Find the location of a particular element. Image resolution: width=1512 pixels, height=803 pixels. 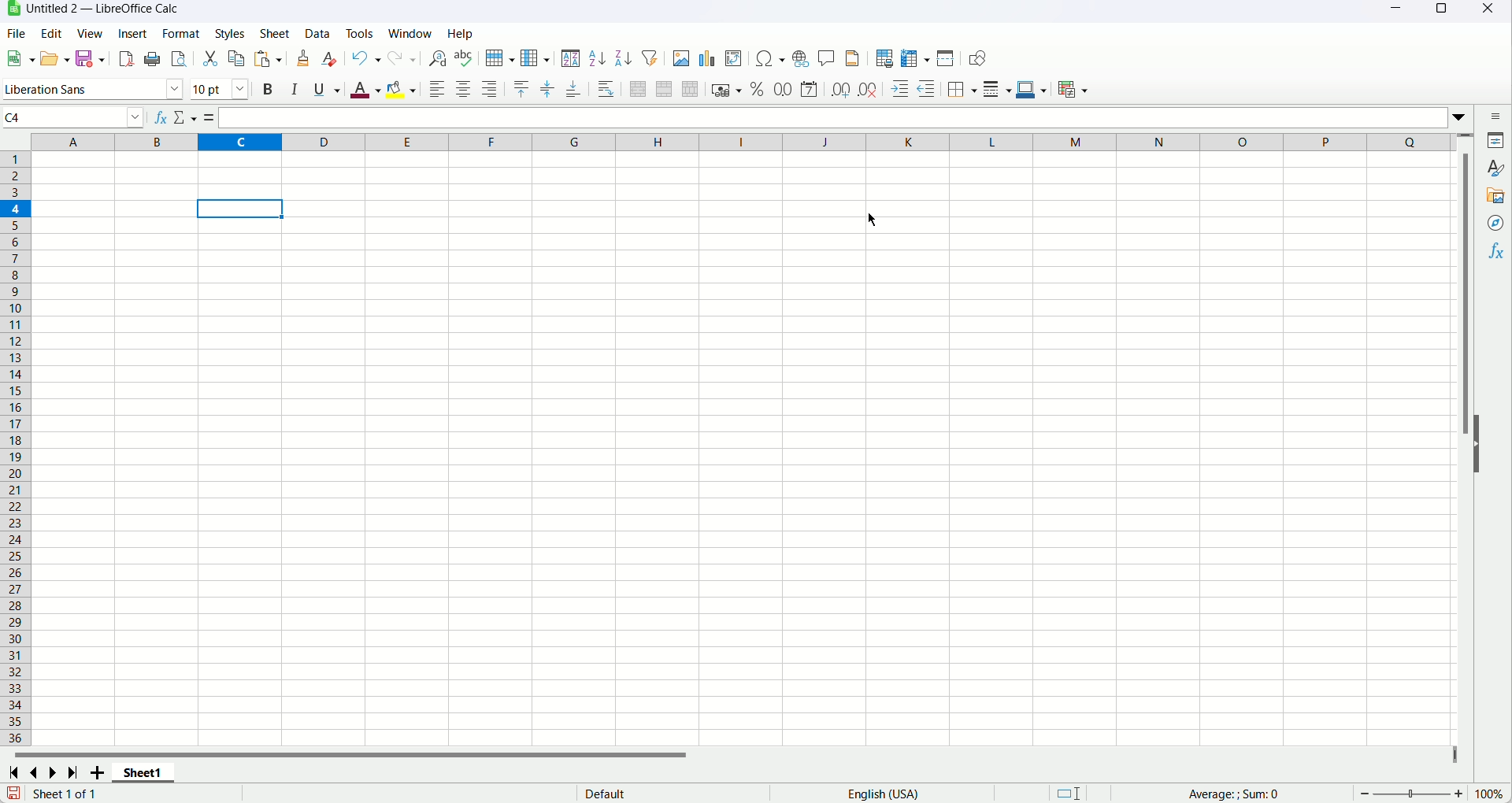

Redo is located at coordinates (402, 58).